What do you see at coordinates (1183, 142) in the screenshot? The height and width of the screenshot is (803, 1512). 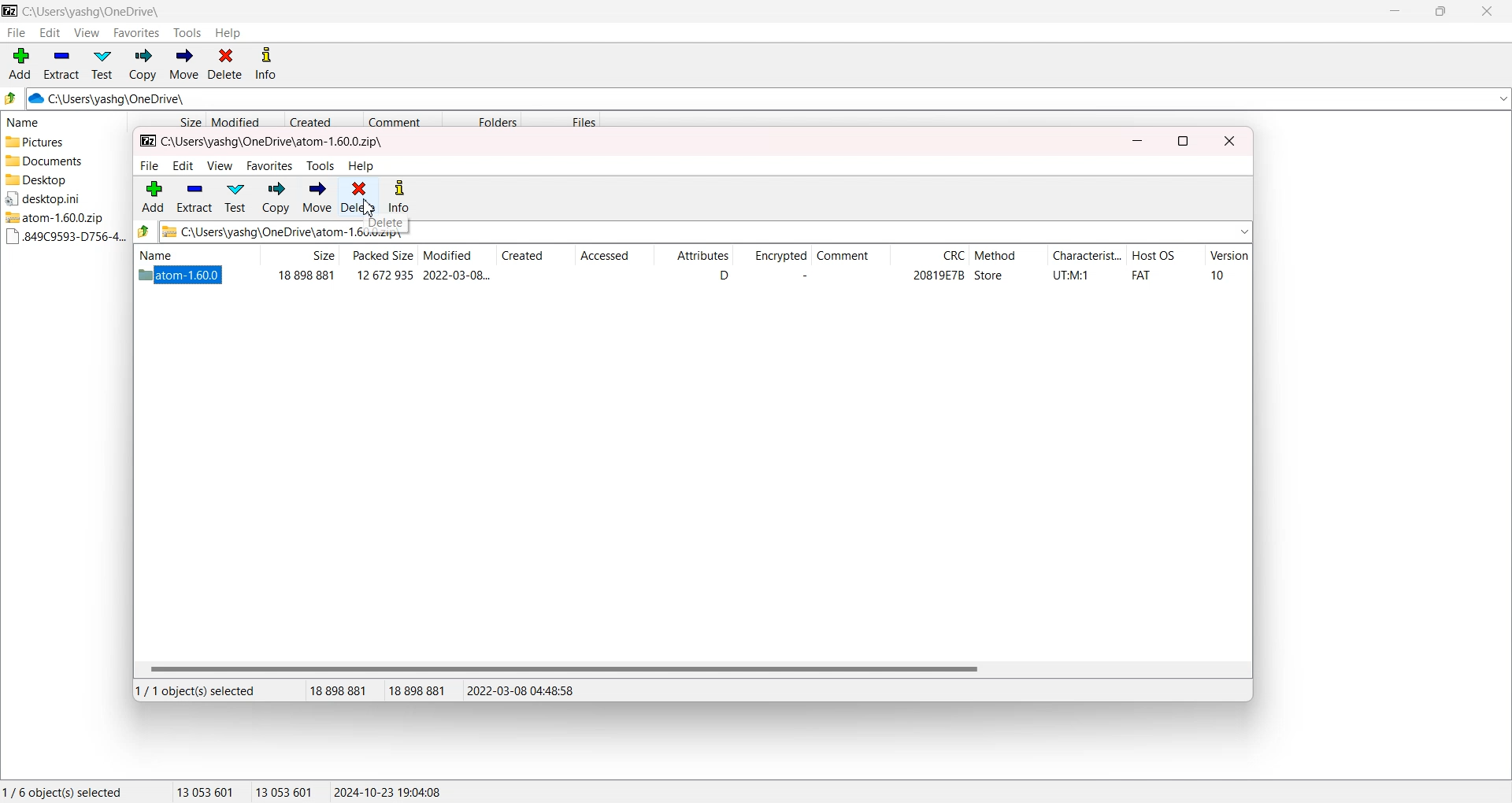 I see `maximize` at bounding box center [1183, 142].